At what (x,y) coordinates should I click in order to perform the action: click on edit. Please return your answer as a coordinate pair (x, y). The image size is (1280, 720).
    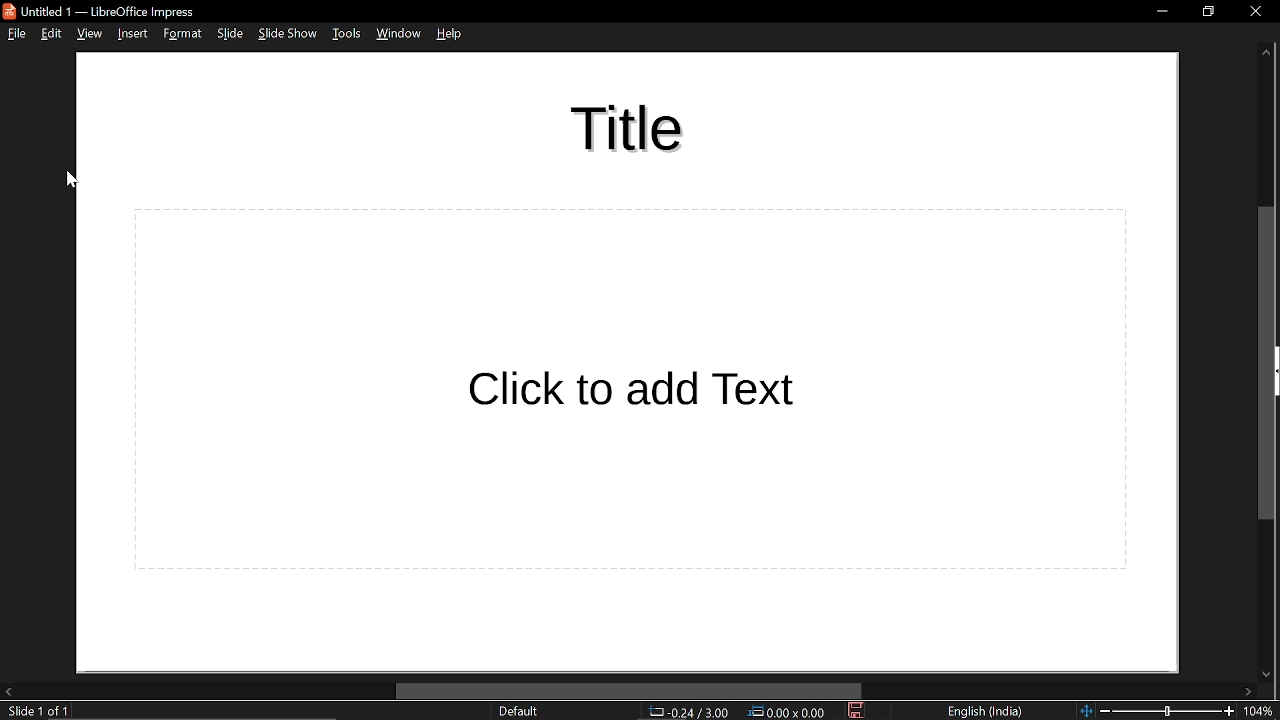
    Looking at the image, I should click on (54, 34).